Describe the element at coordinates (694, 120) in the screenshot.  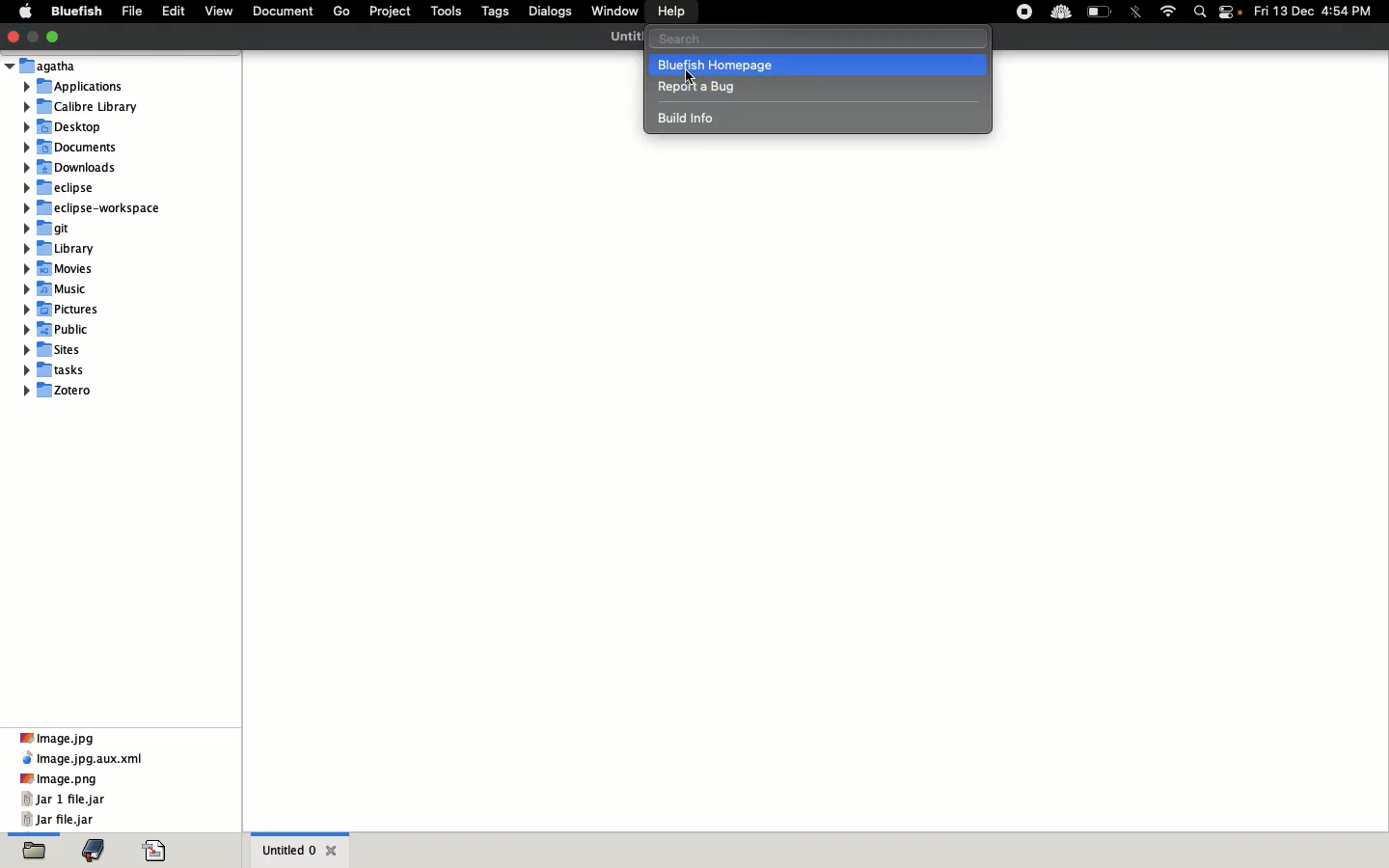
I see `Build info` at that location.